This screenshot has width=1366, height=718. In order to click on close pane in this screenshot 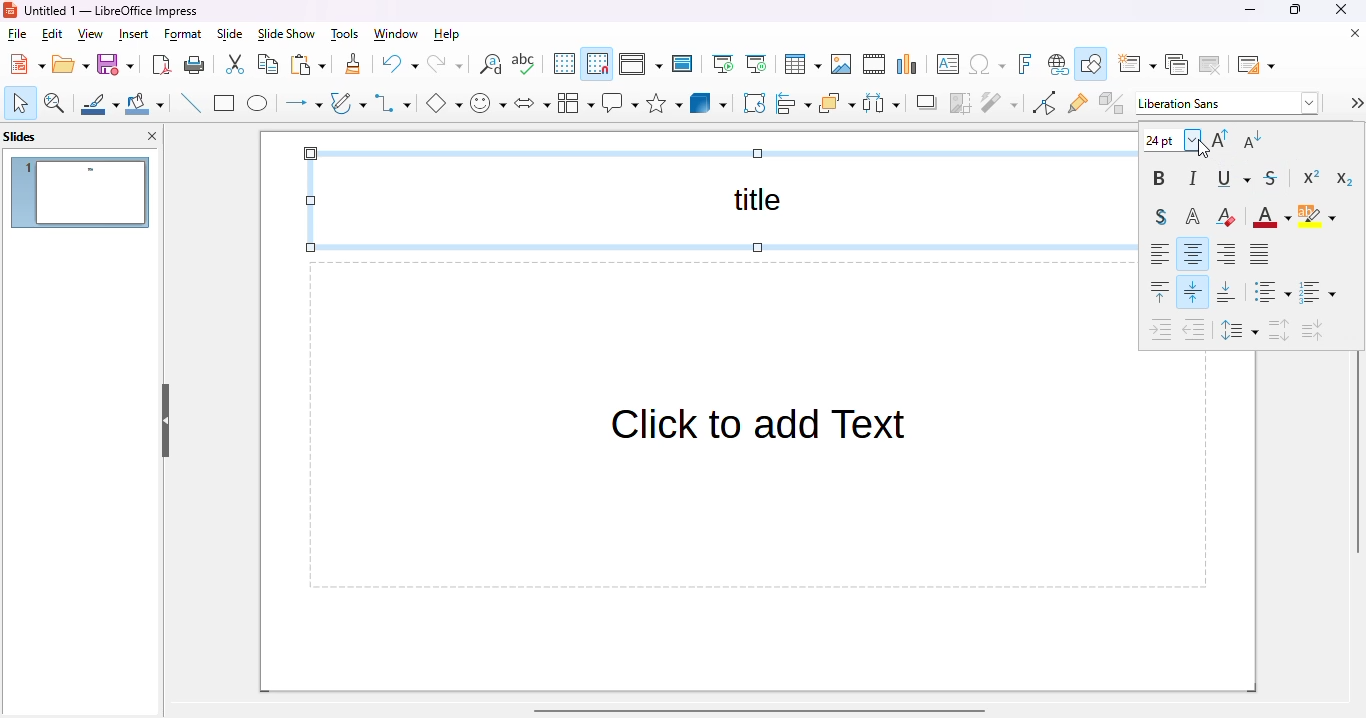, I will do `click(153, 135)`.